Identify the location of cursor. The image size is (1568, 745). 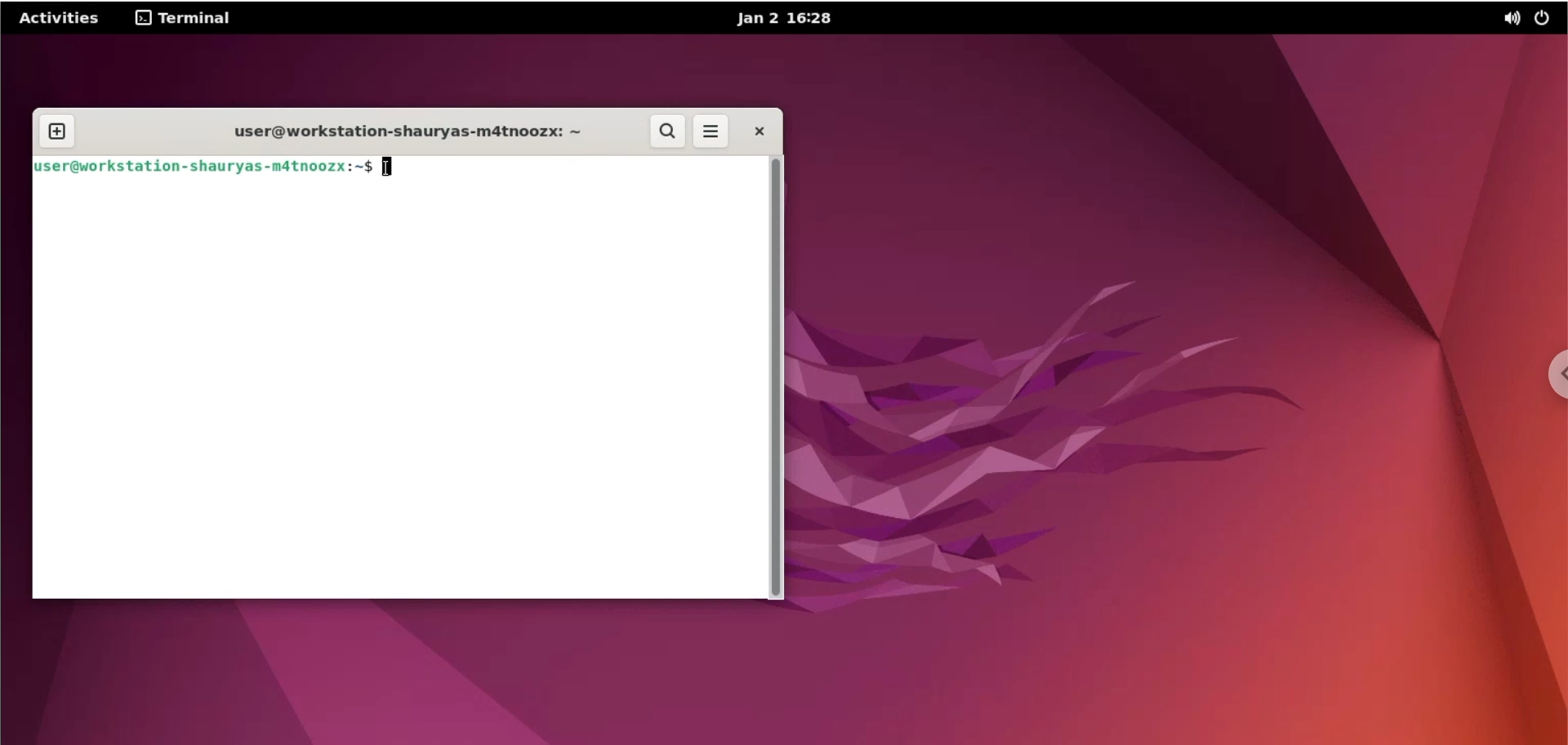
(391, 169).